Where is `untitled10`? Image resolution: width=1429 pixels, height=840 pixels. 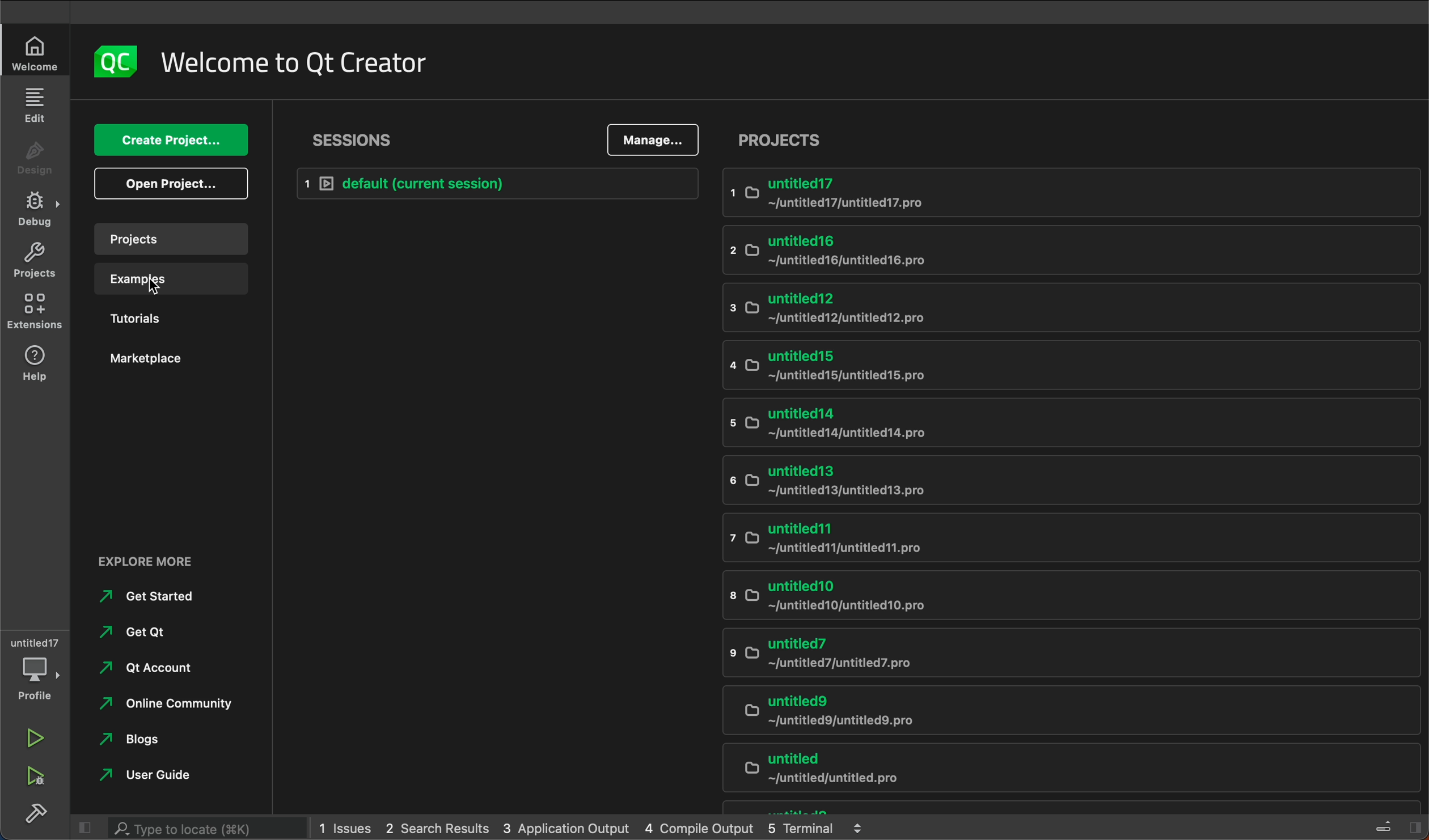
untitled10 is located at coordinates (1063, 595).